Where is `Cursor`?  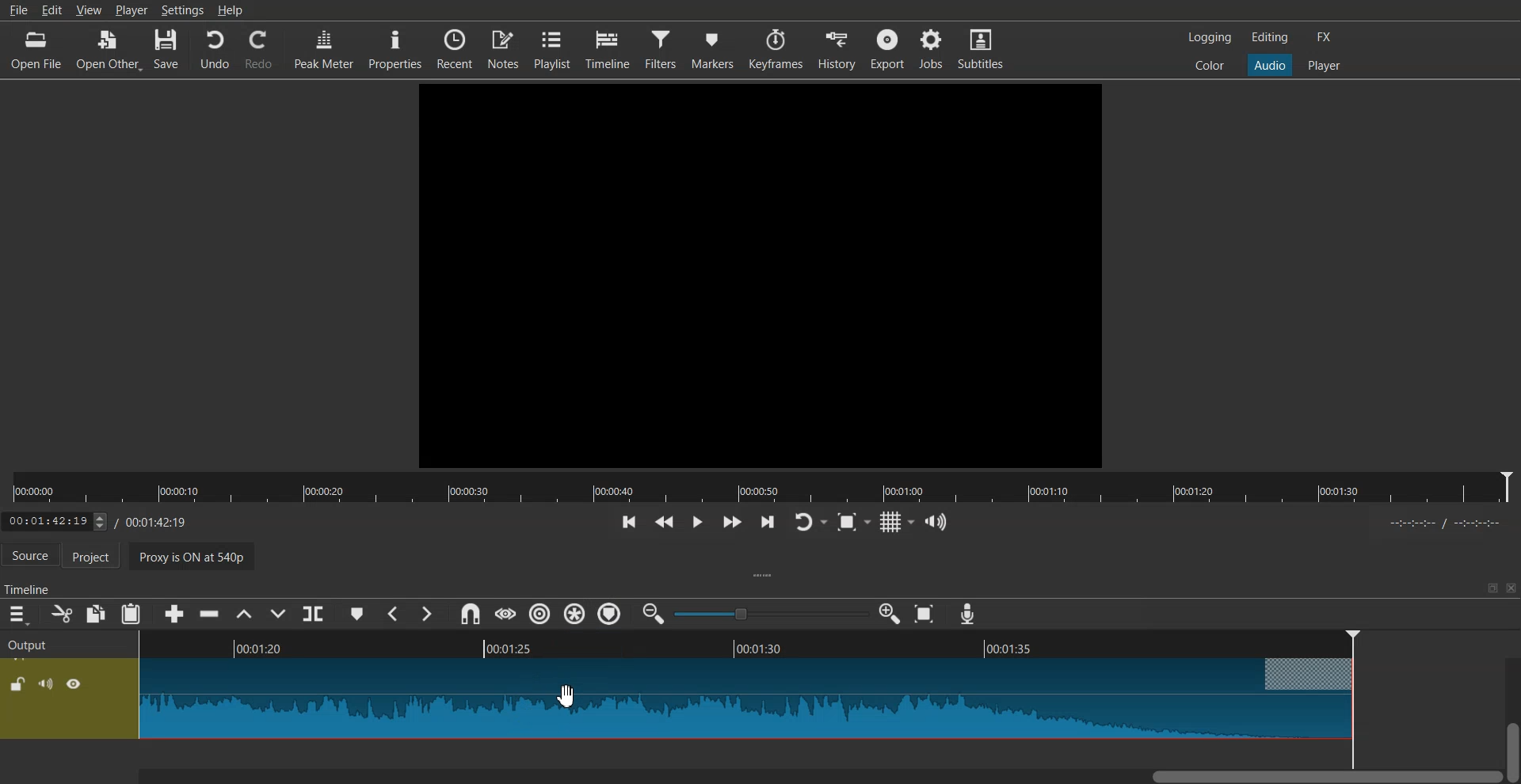 Cursor is located at coordinates (569, 696).